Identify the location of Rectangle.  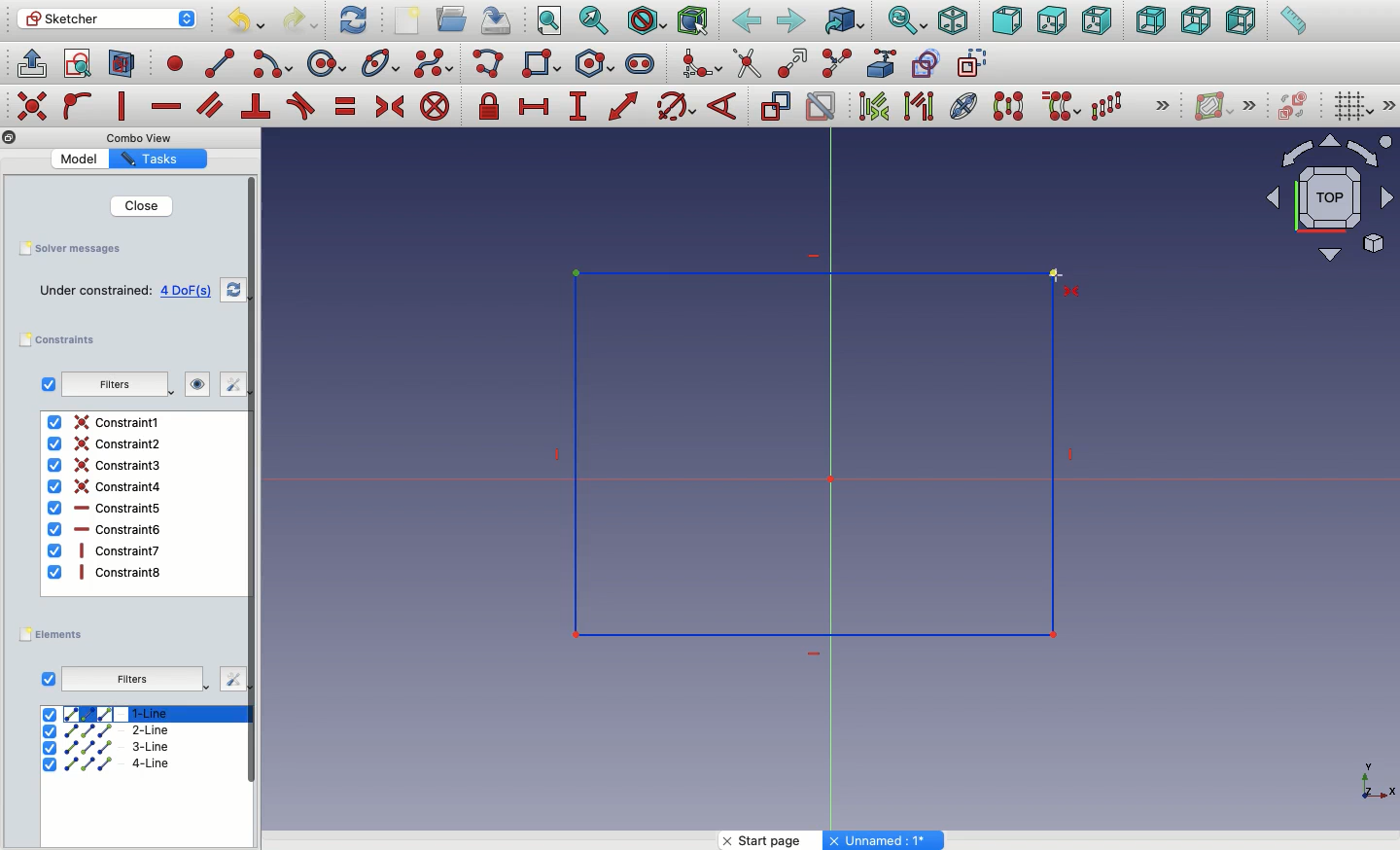
(874, 470).